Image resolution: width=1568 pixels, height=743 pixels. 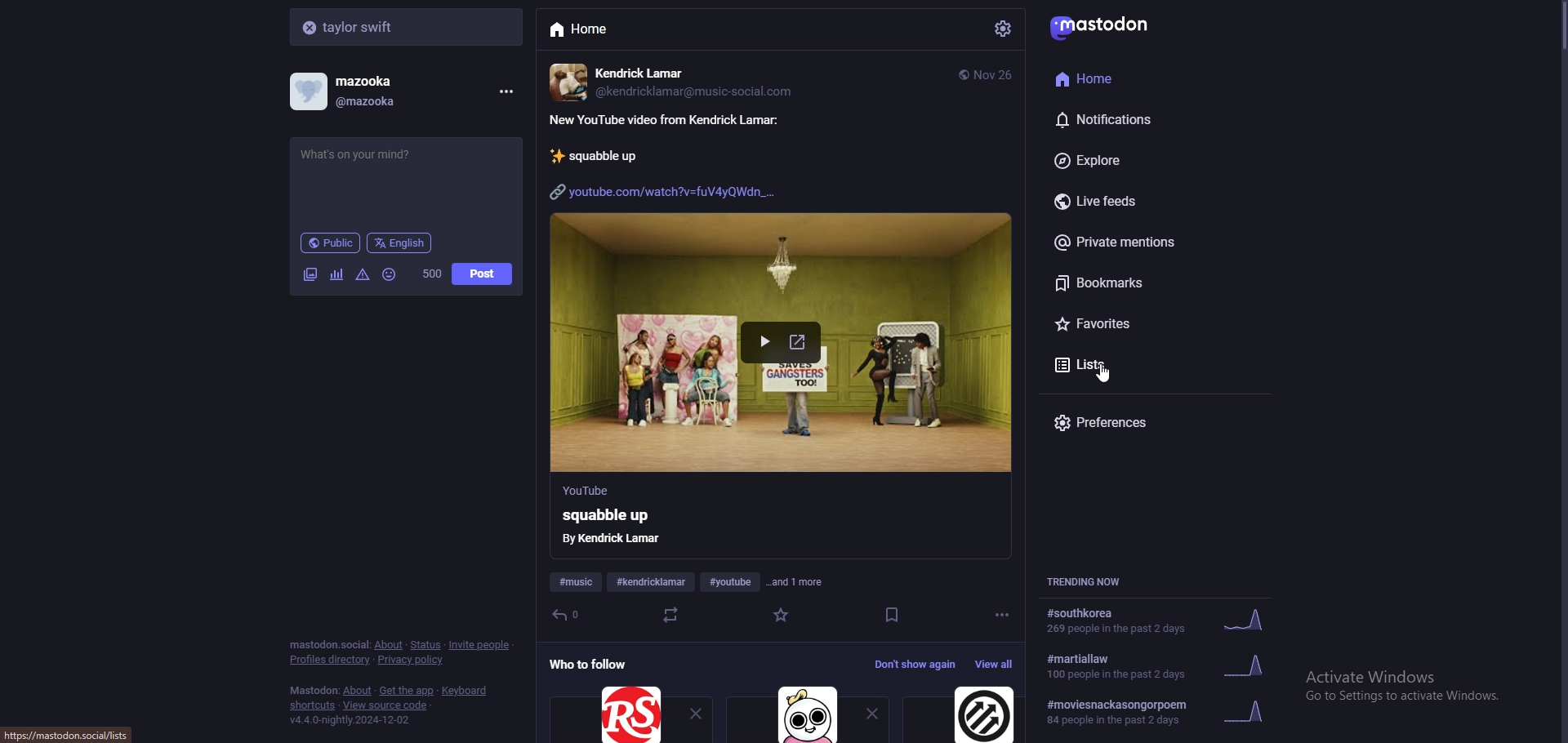 What do you see at coordinates (314, 691) in the screenshot?
I see `mastodon` at bounding box center [314, 691].